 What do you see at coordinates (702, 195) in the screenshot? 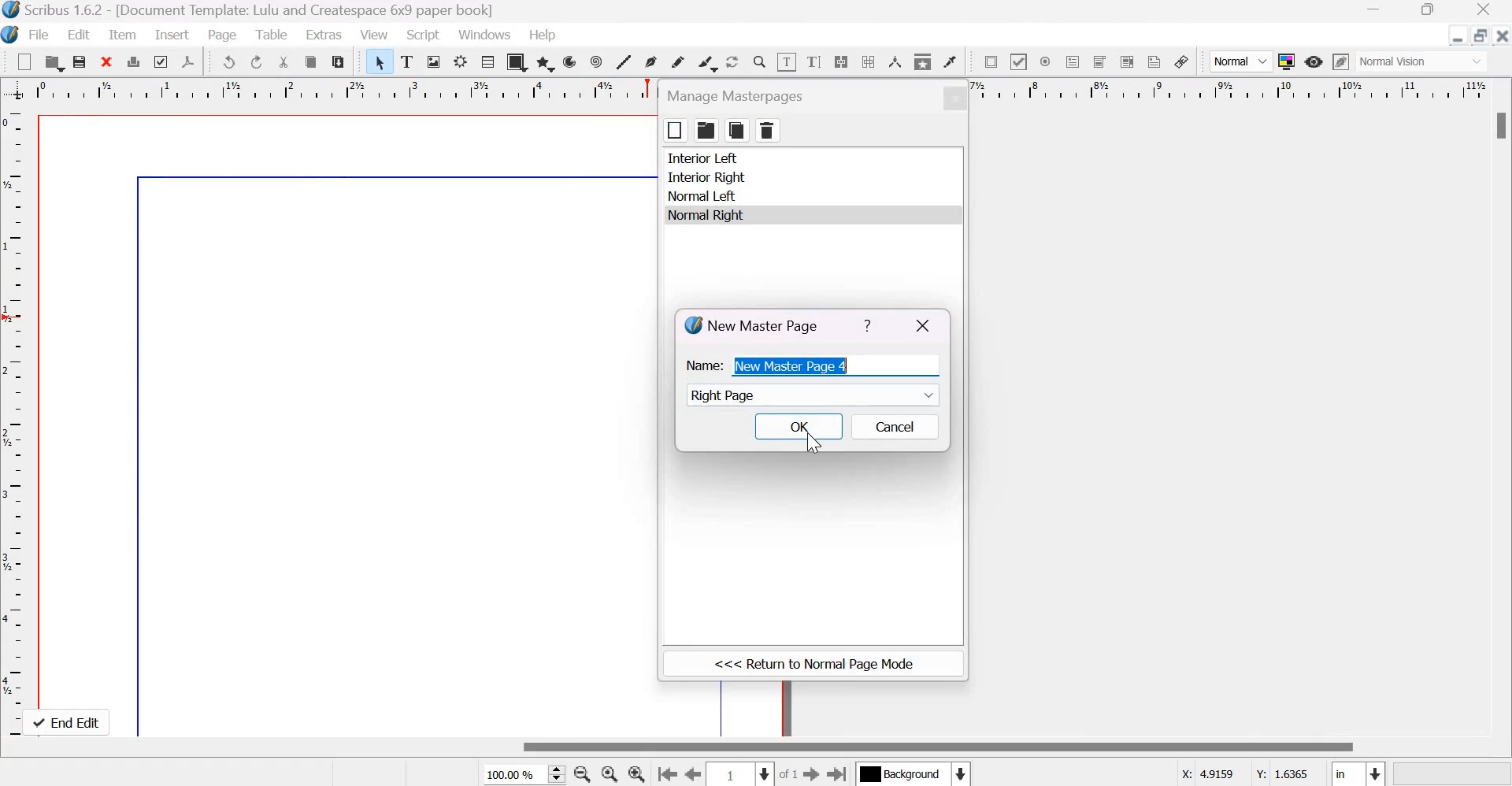
I see `normal left` at bounding box center [702, 195].